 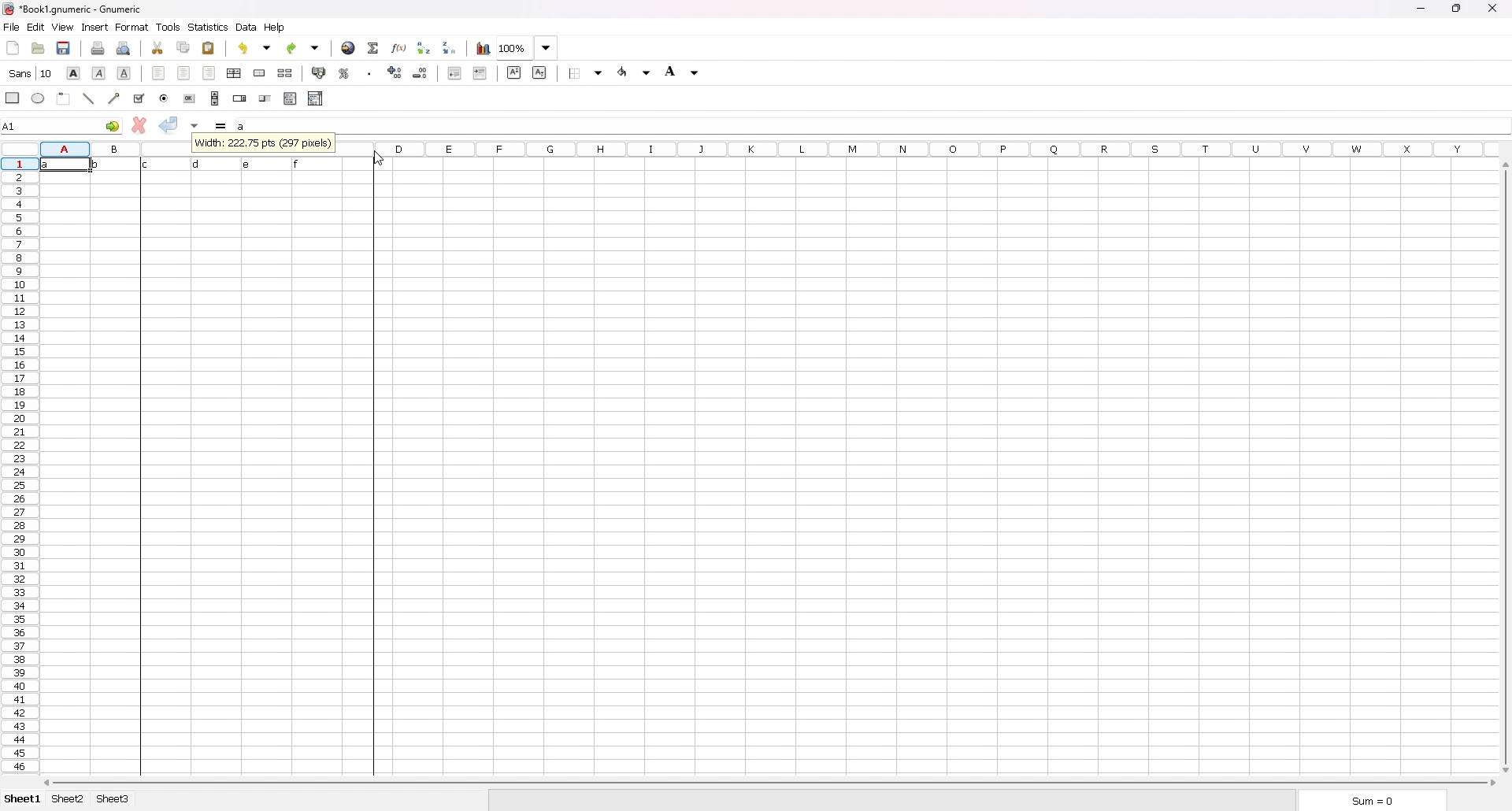 I want to click on sheet 3, so click(x=113, y=799).